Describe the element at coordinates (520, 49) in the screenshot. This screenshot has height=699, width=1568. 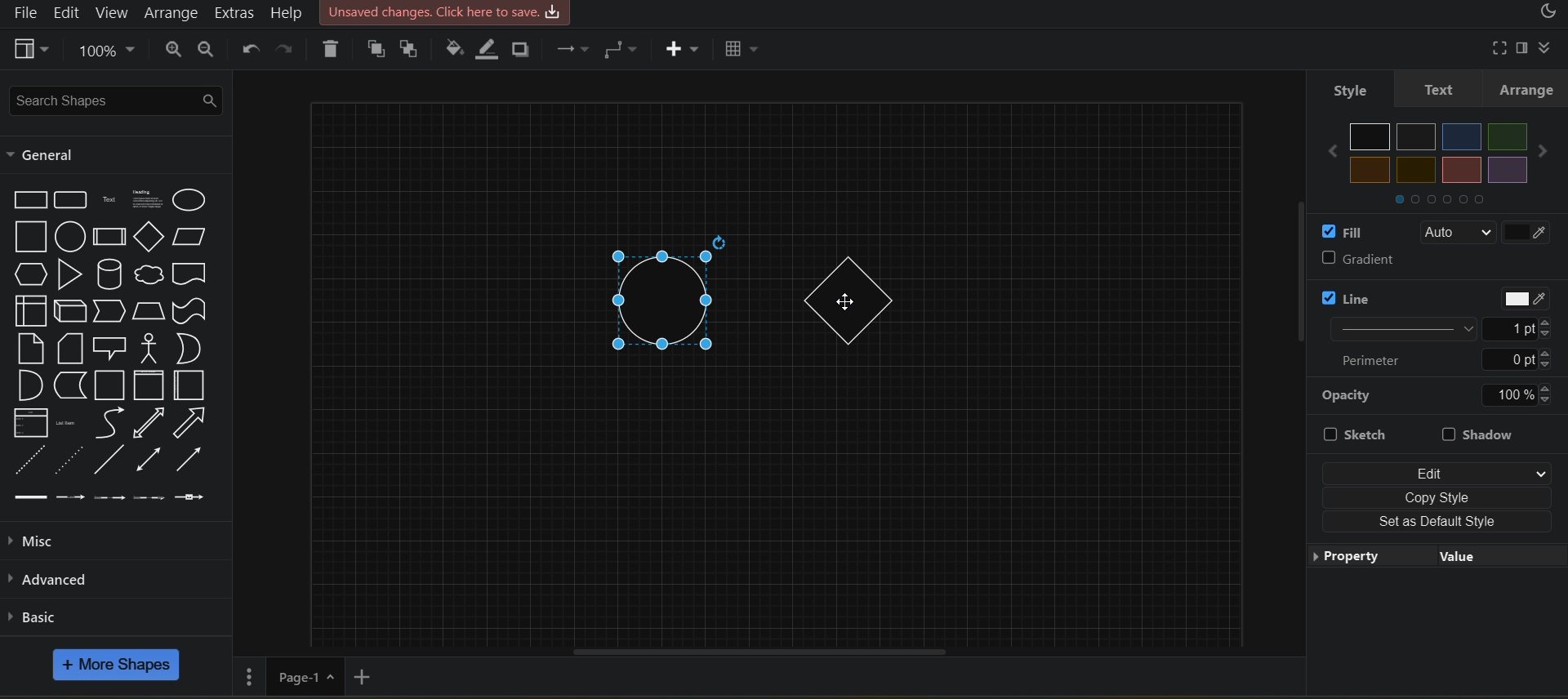
I see `shadow` at that location.